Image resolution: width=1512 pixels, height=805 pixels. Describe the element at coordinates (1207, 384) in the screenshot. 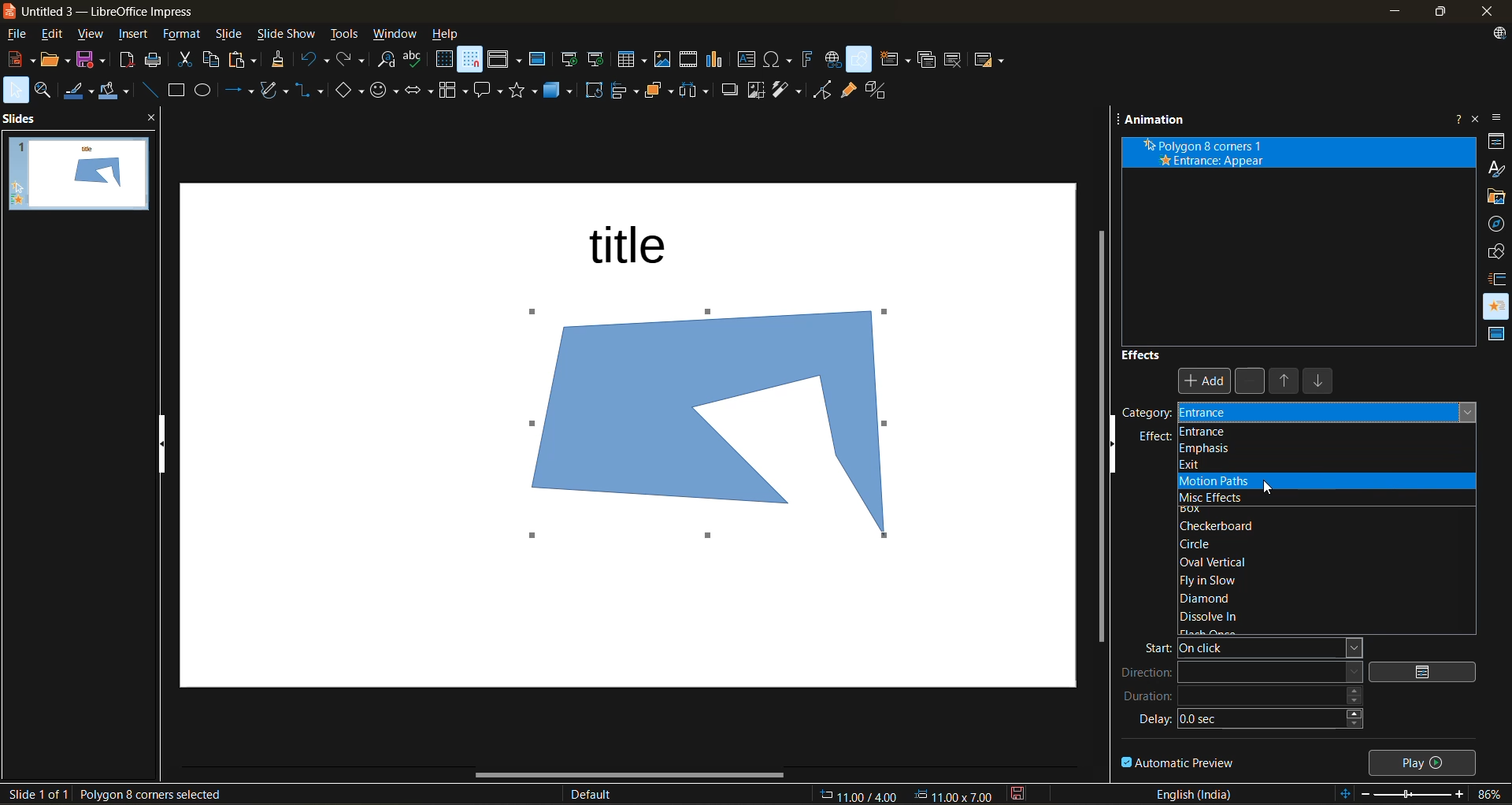

I see `Add` at that location.